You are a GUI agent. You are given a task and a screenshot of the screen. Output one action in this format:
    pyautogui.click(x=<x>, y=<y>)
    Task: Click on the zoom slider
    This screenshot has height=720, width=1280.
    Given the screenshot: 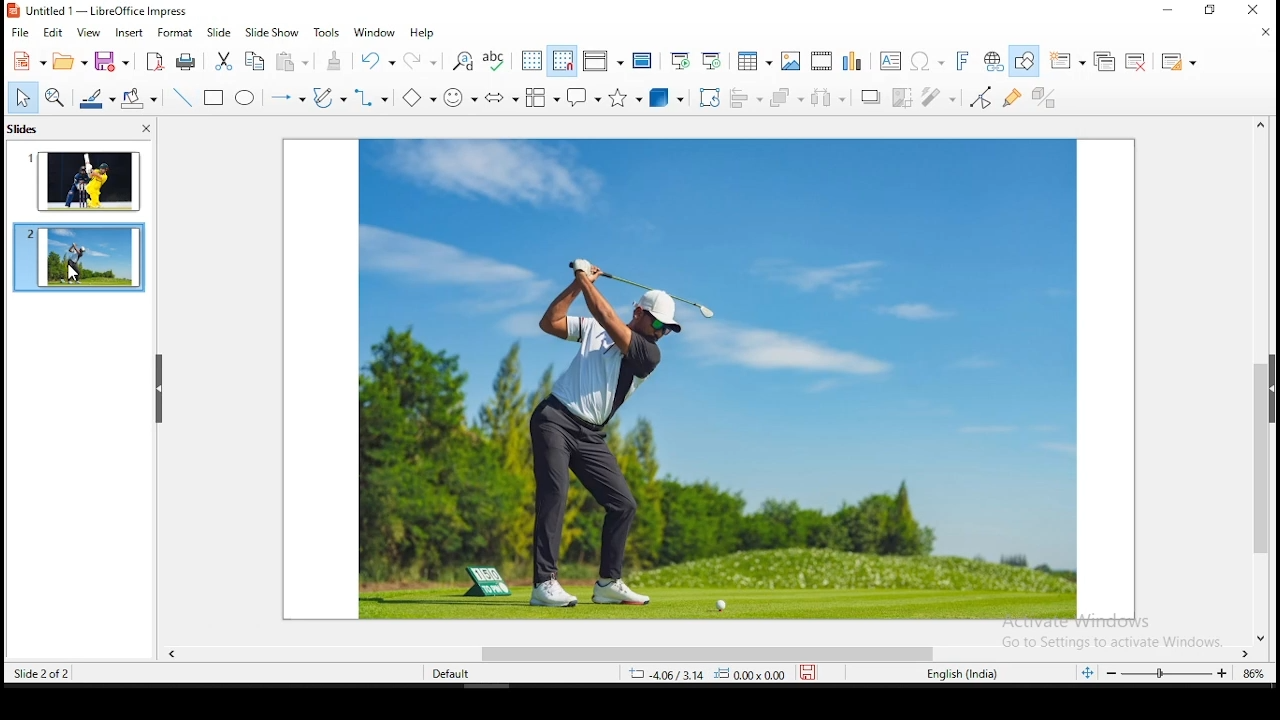 What is the action you would take?
    pyautogui.click(x=1166, y=674)
    